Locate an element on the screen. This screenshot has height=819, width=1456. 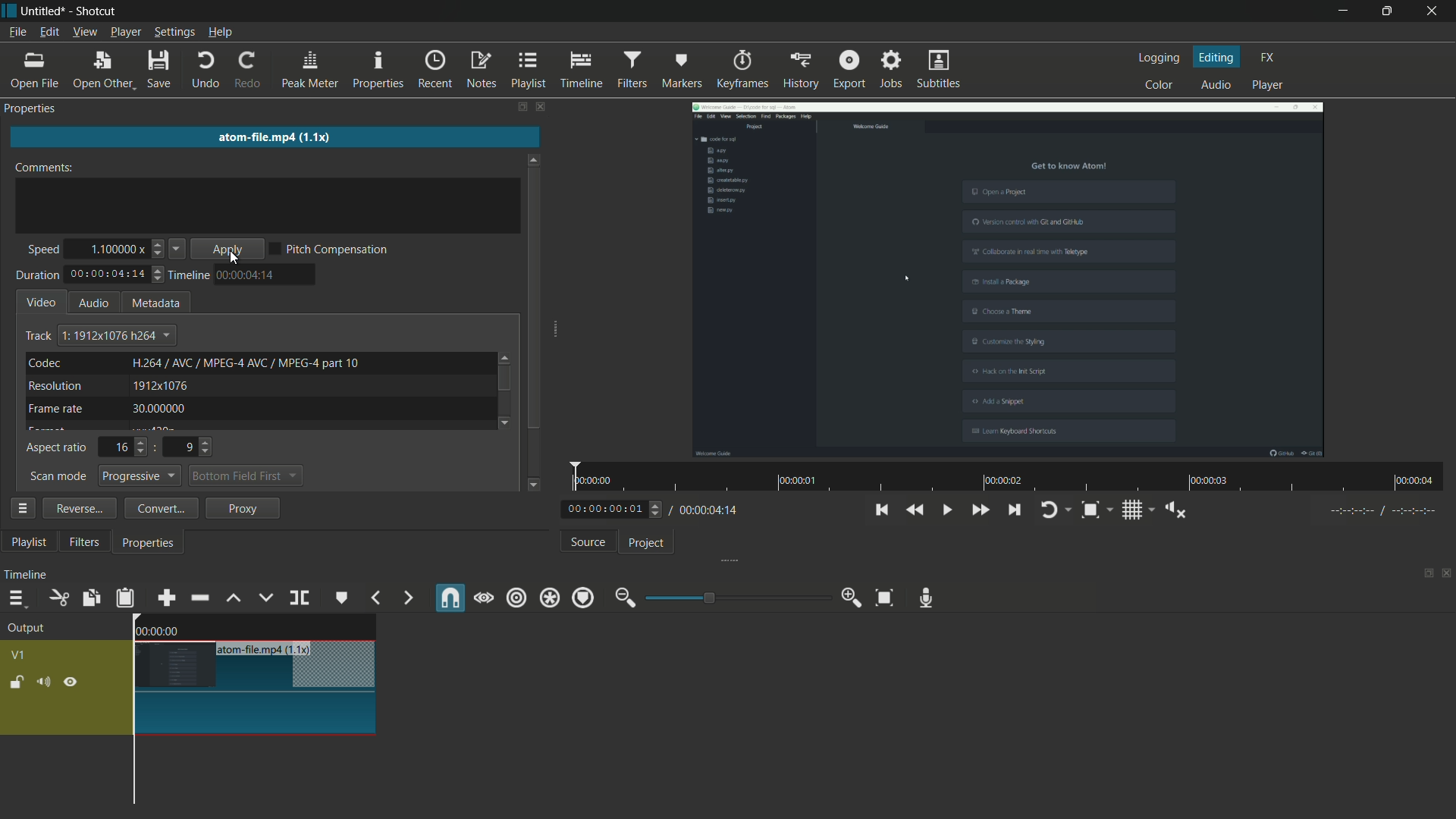
1.1x is located at coordinates (302, 648).